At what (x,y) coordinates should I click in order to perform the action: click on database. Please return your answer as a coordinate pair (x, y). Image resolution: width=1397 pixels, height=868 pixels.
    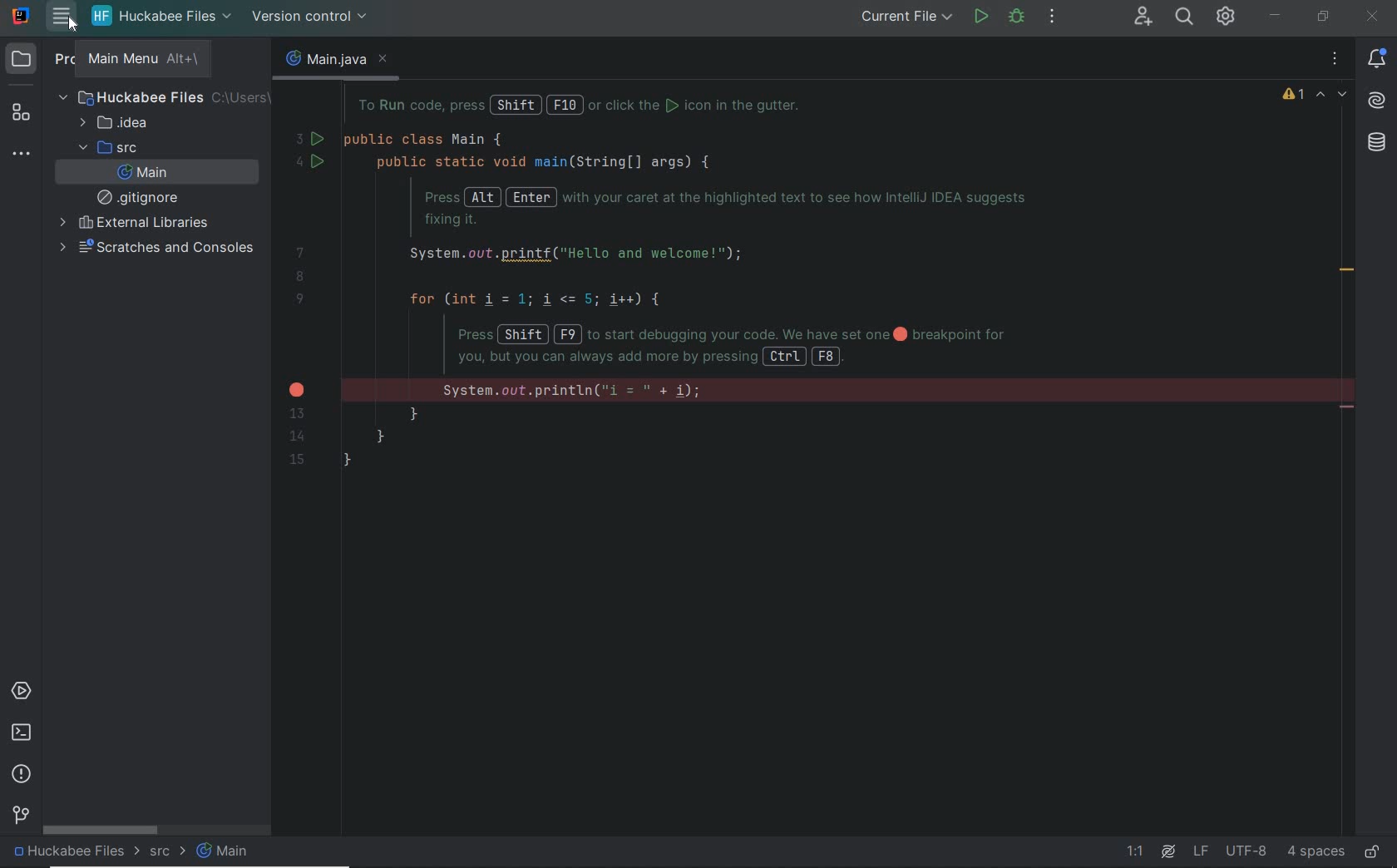
    Looking at the image, I should click on (1376, 144).